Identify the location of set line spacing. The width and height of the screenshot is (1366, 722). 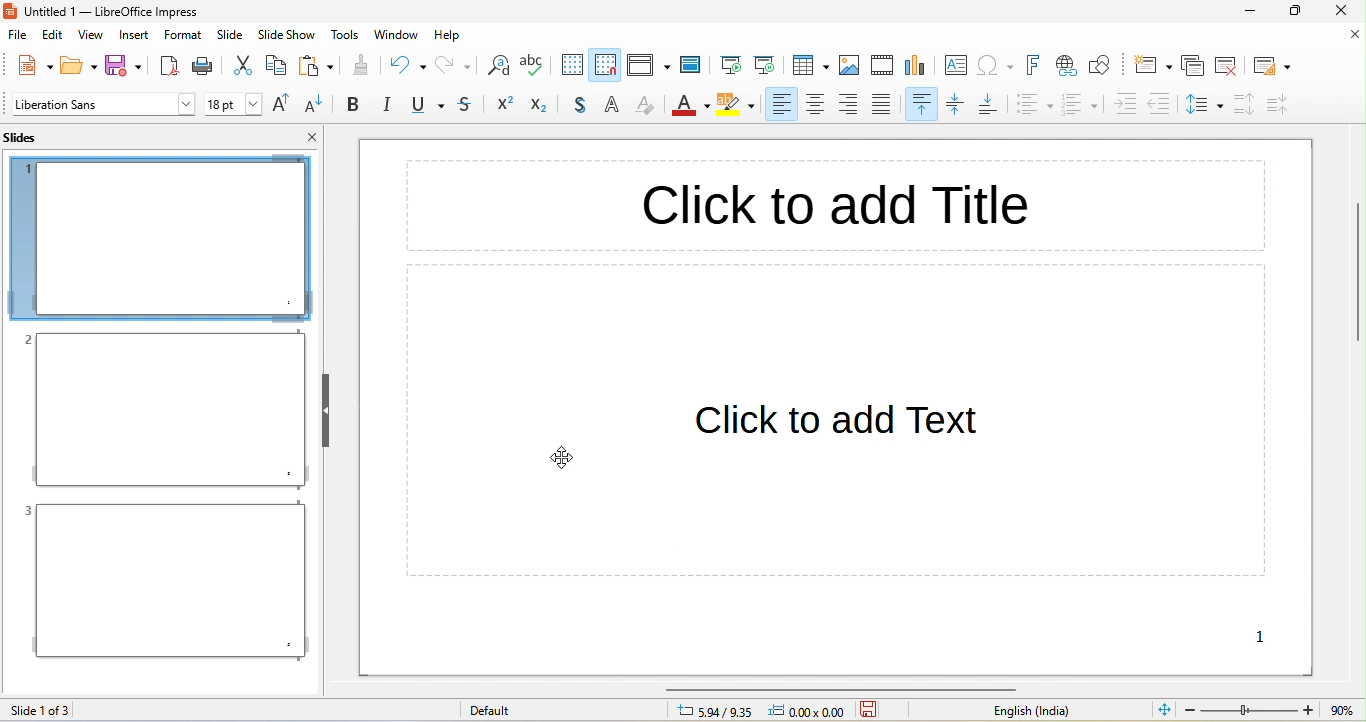
(1204, 107).